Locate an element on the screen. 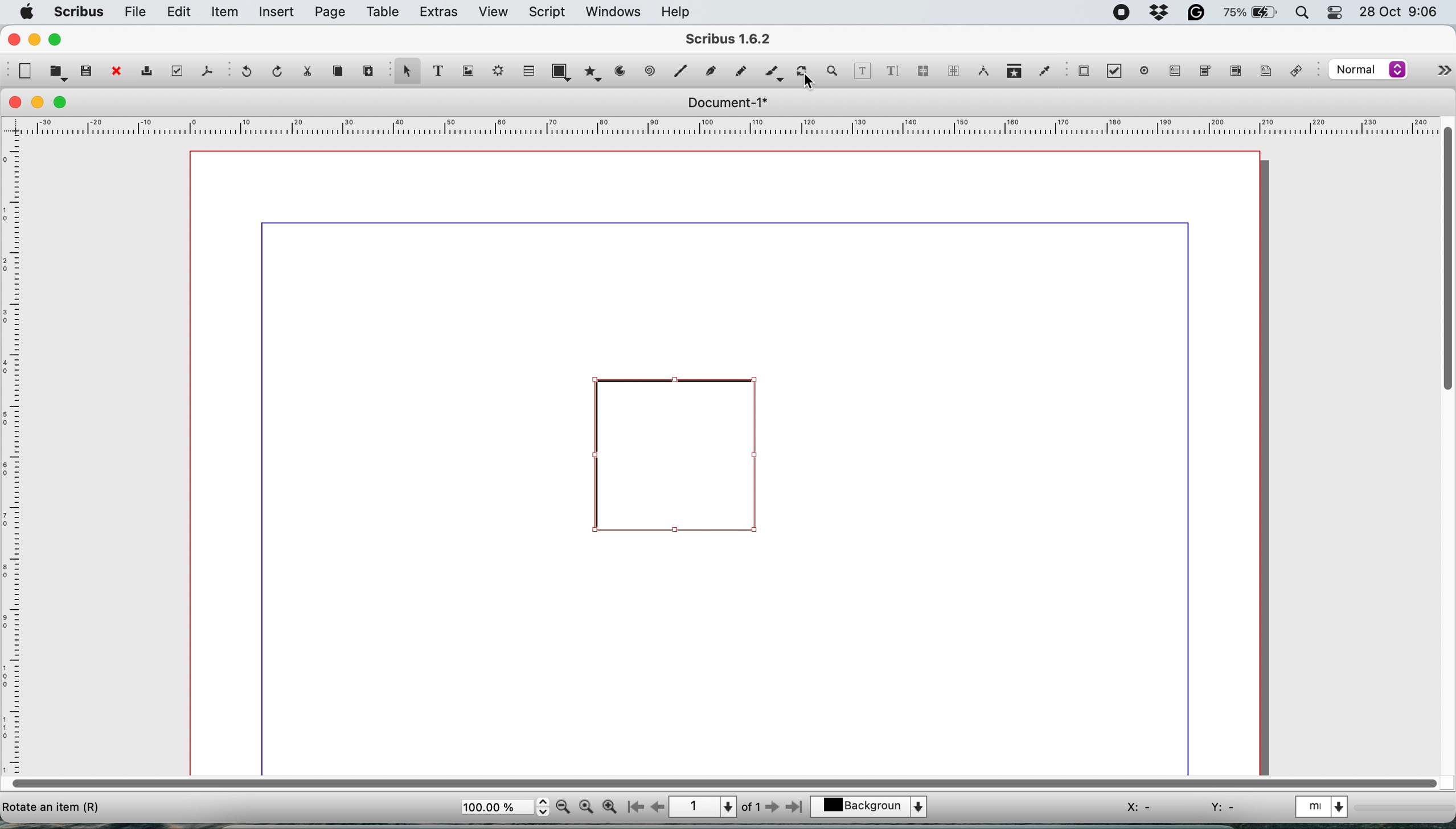 The image size is (1456, 829). spotlight search is located at coordinates (1298, 13).